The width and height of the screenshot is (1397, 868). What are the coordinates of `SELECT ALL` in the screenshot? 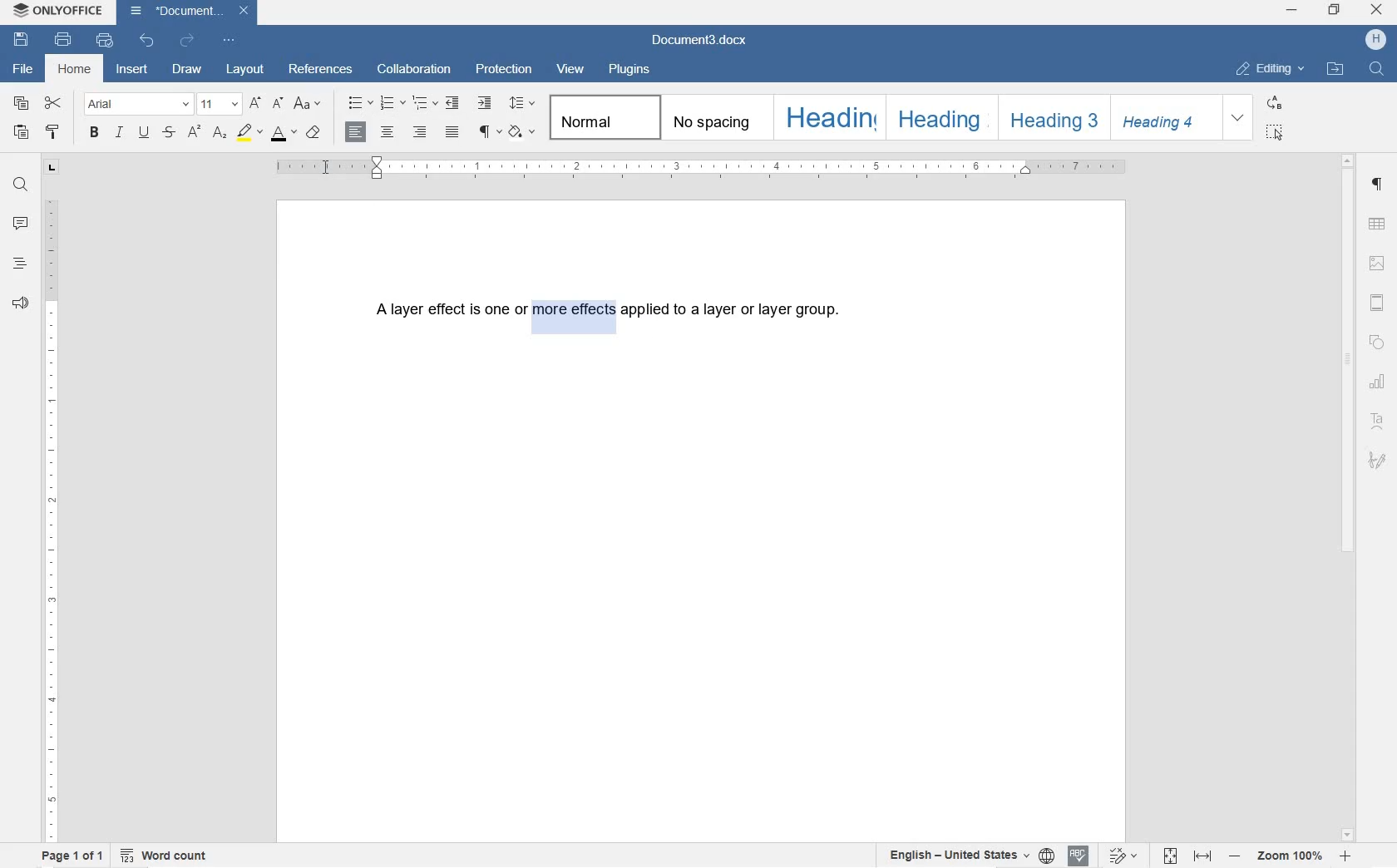 It's located at (1276, 132).